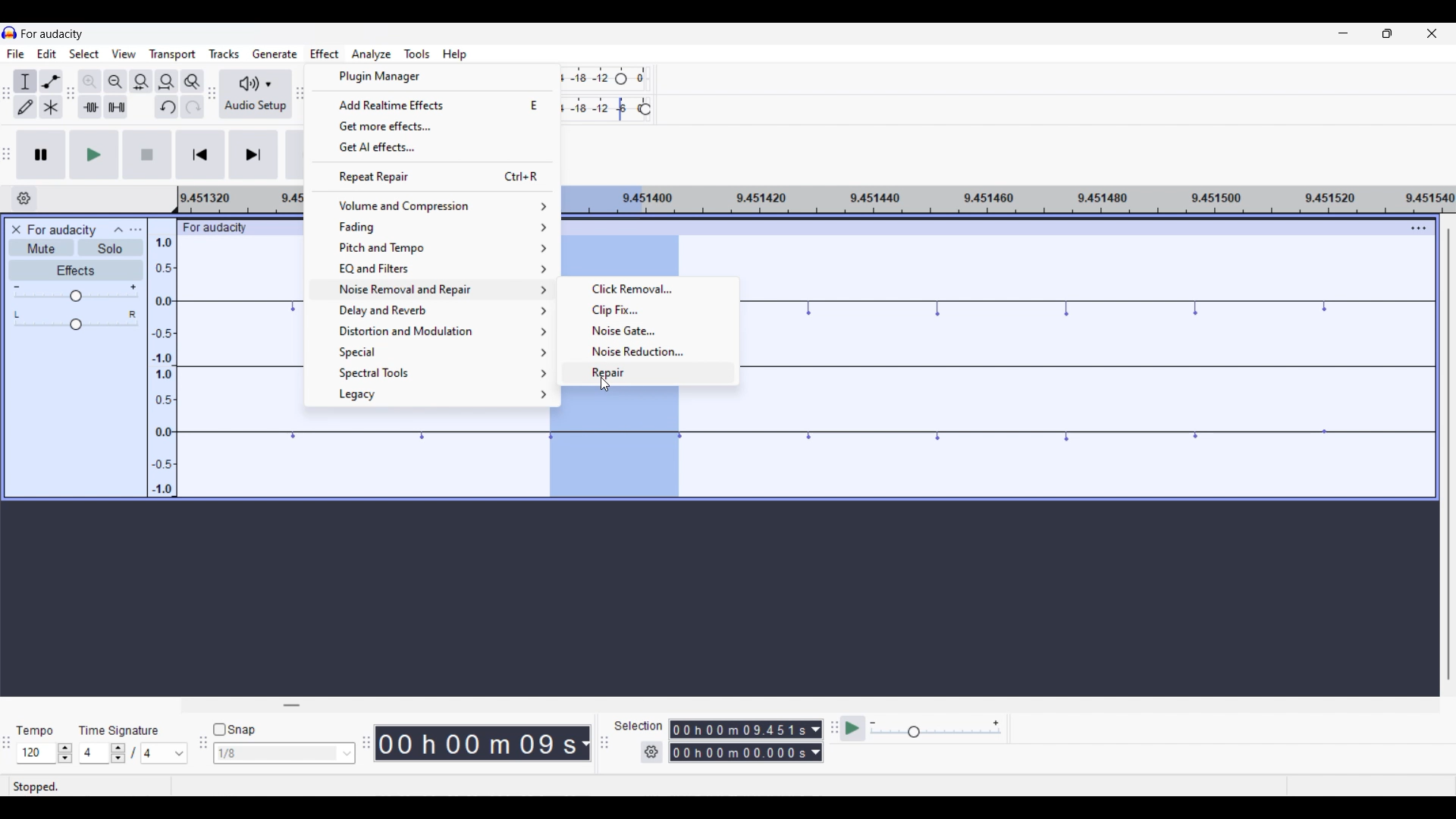  What do you see at coordinates (136, 230) in the screenshot?
I see `Open menu` at bounding box center [136, 230].